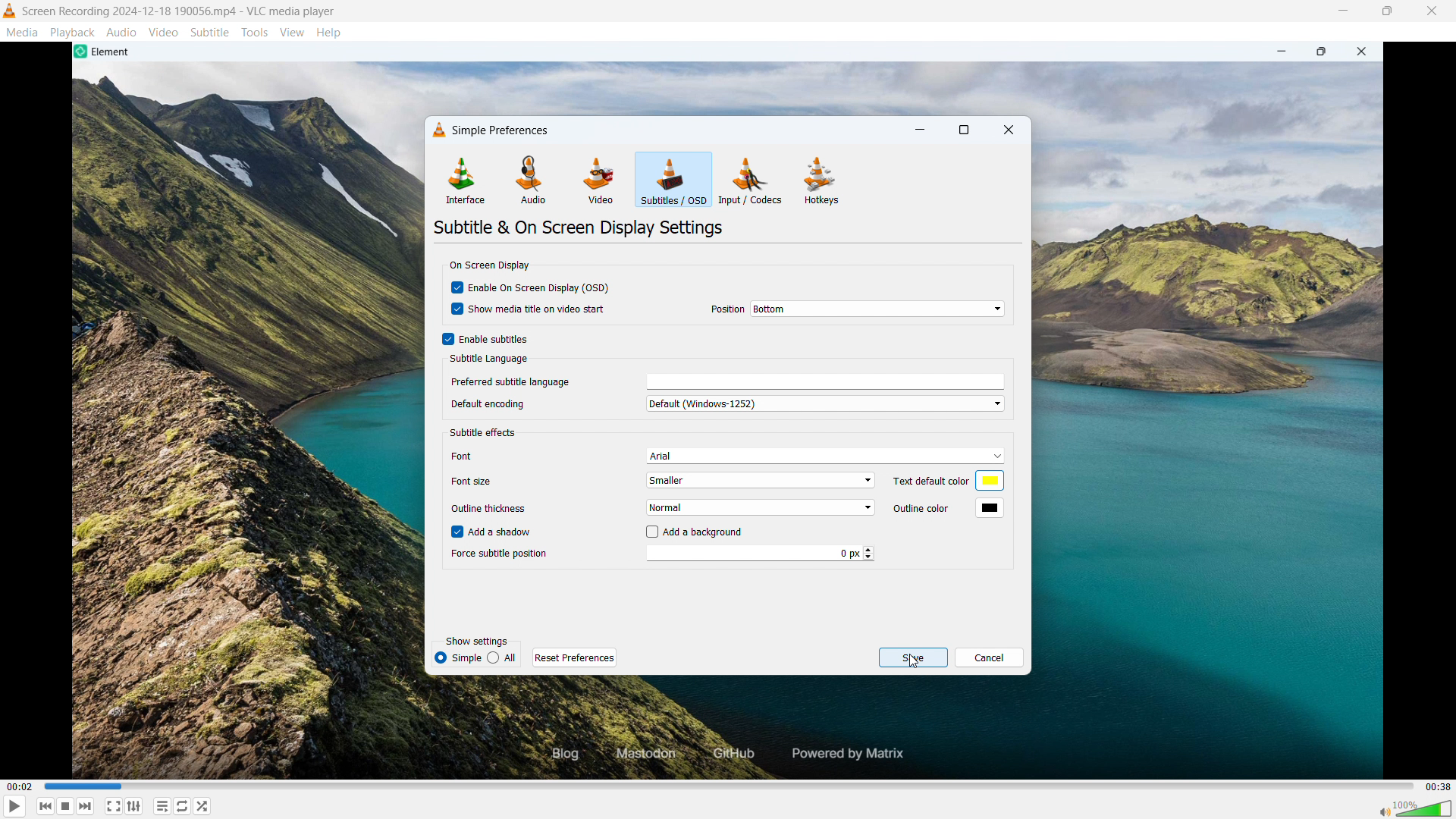  I want to click on Sound bar , so click(1416, 808).